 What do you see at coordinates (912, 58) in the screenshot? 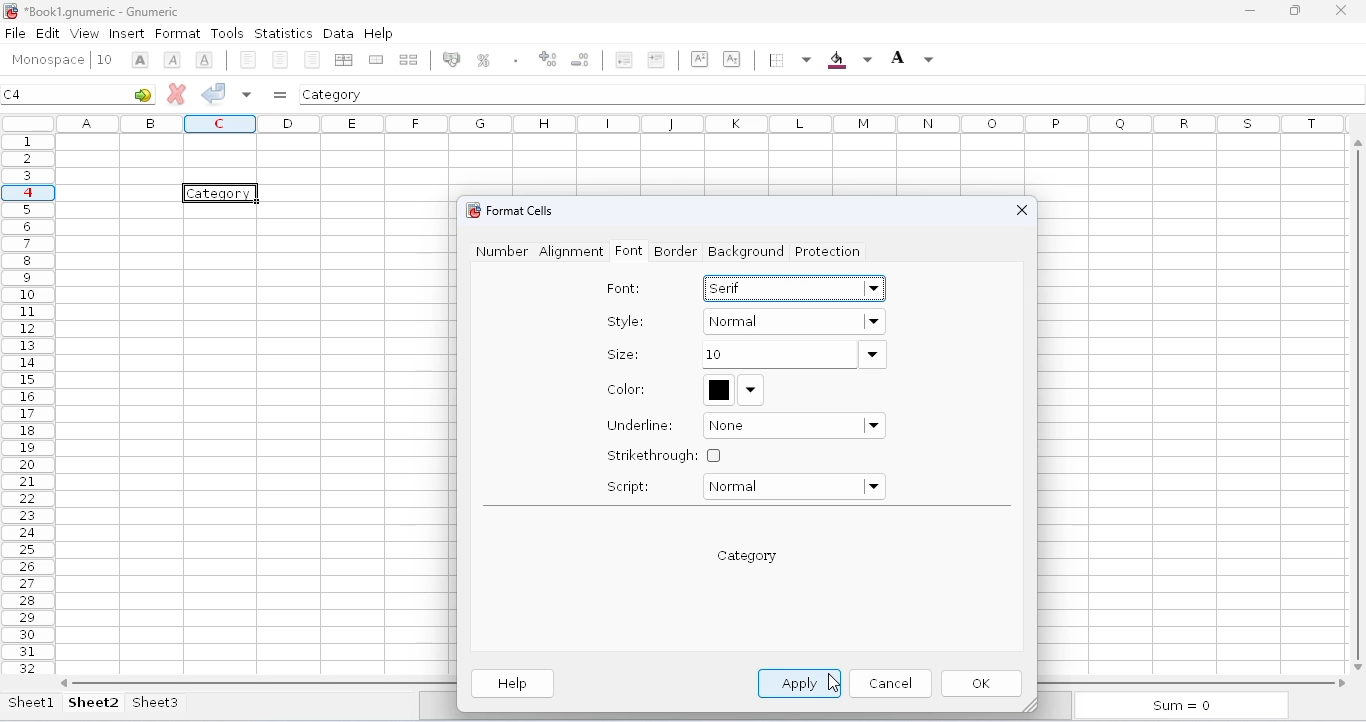
I see `foreground` at bounding box center [912, 58].